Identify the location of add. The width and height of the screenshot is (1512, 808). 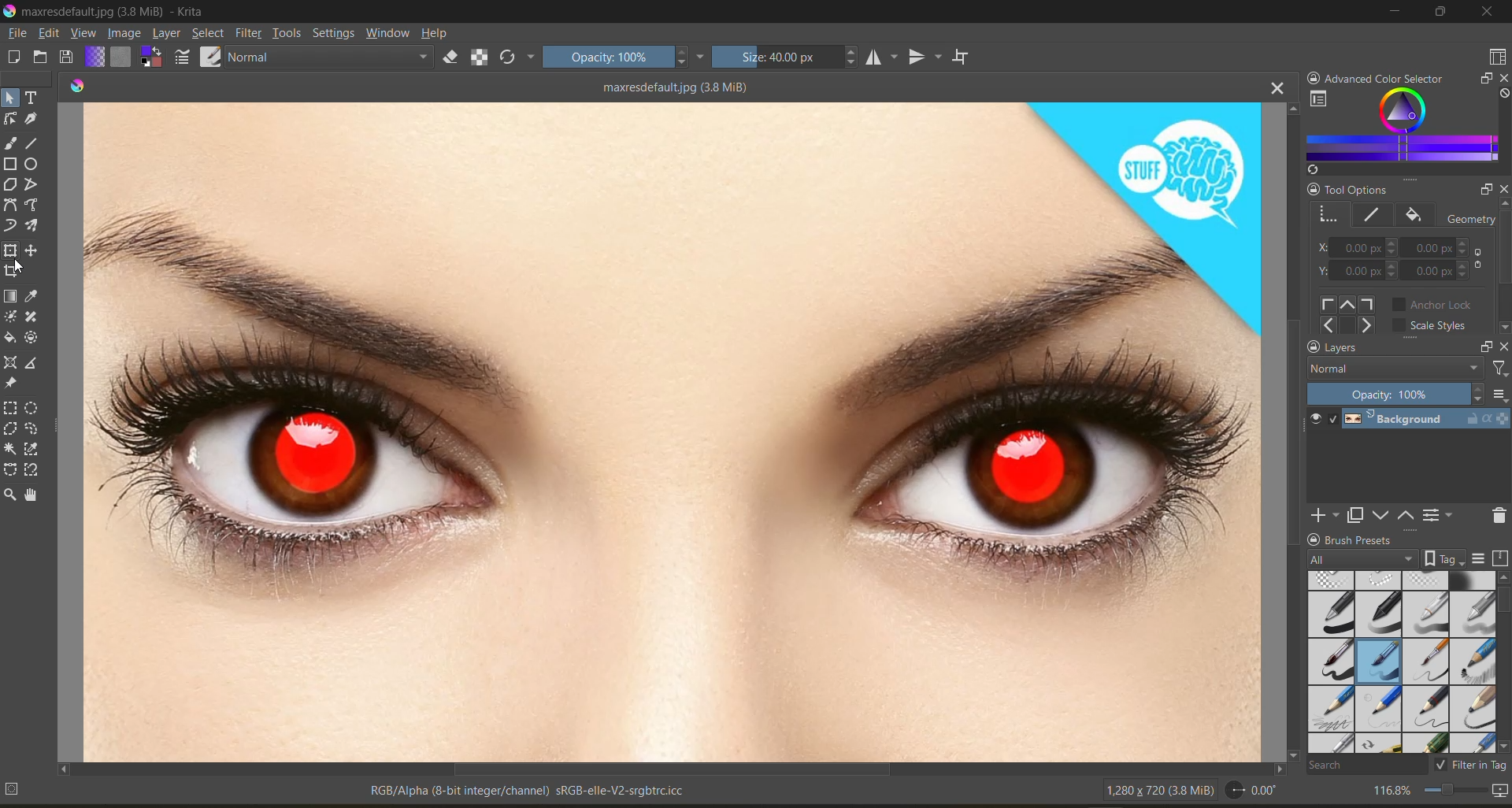
(1321, 516).